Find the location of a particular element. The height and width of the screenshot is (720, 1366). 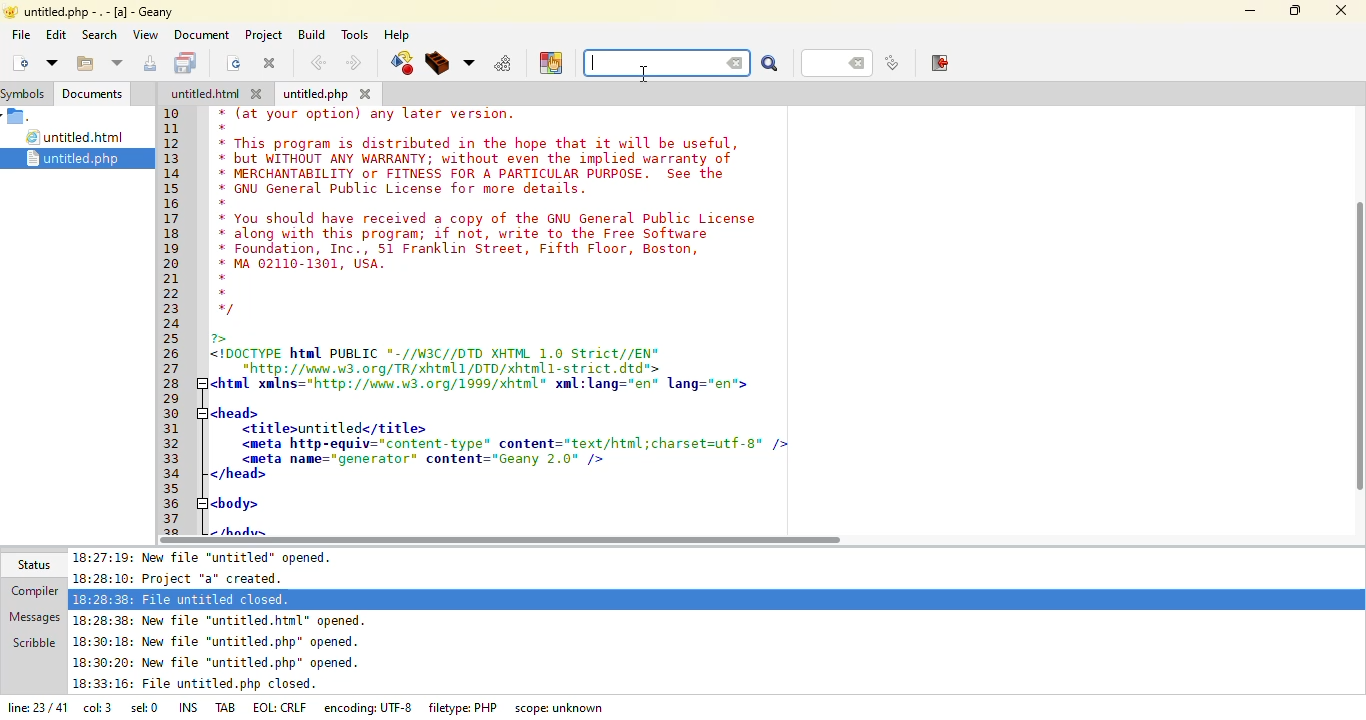

* is located at coordinates (223, 292).